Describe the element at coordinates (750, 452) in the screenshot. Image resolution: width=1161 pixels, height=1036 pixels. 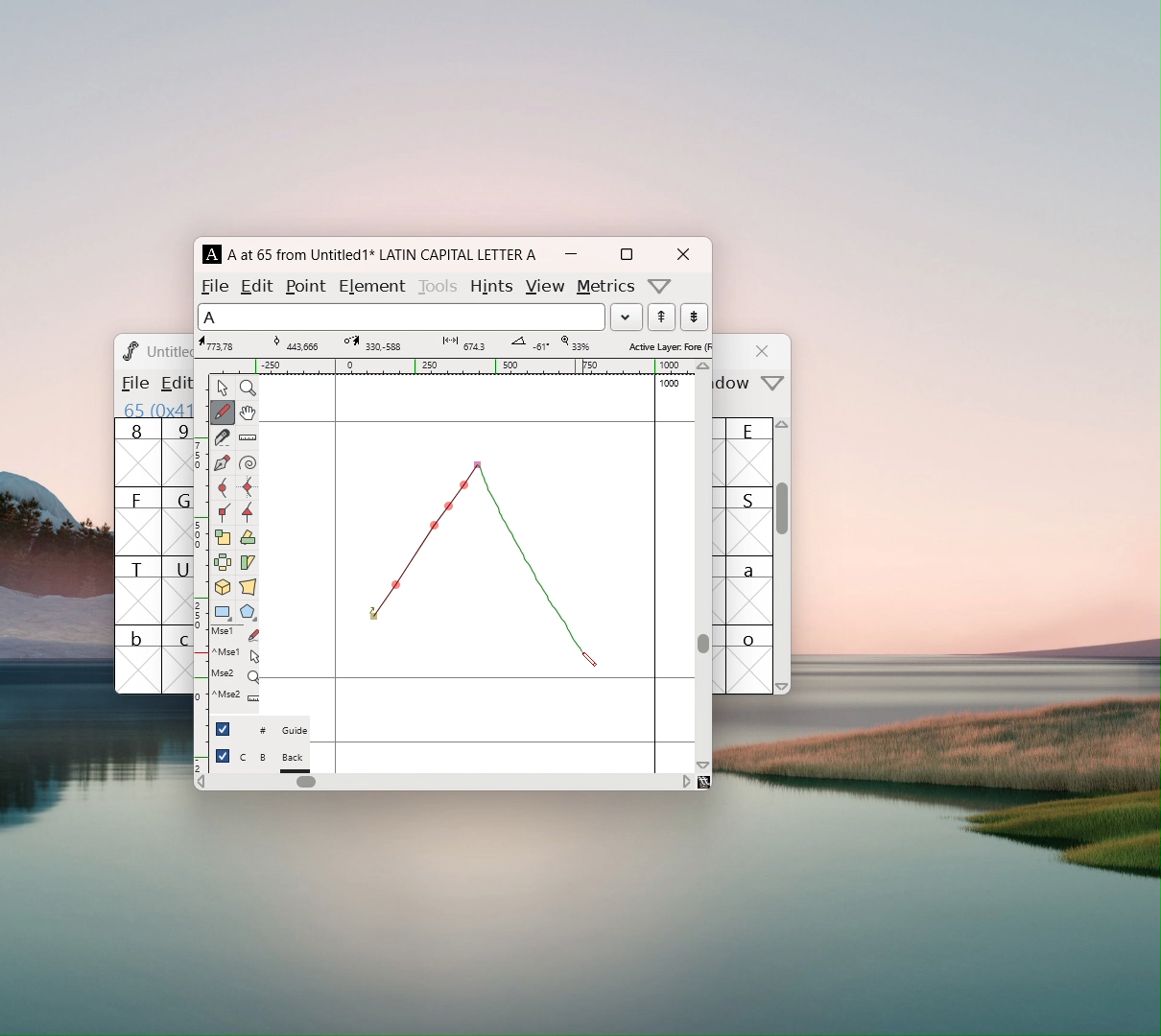
I see `E` at that location.